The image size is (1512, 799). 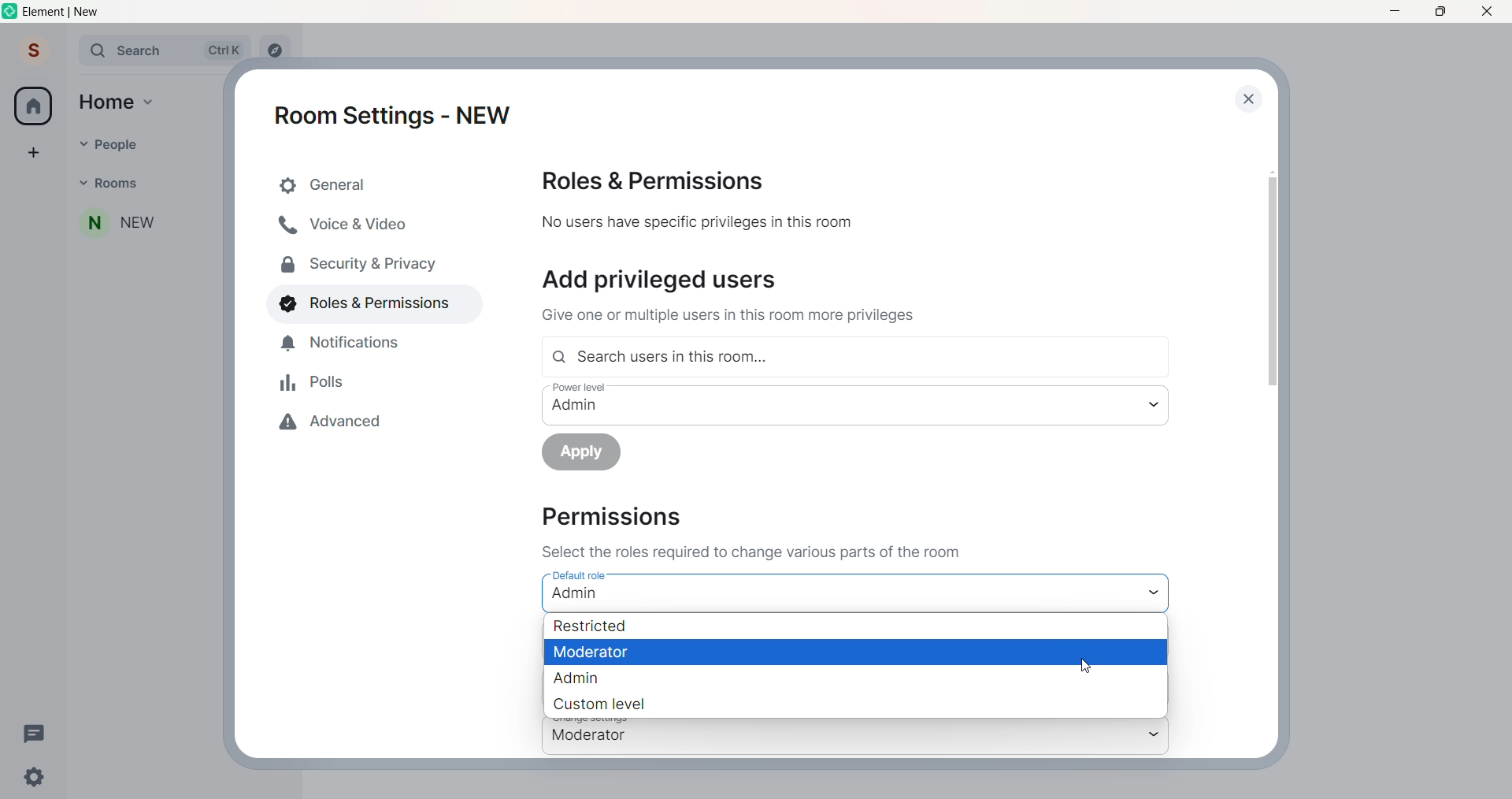 What do you see at coordinates (1157, 593) in the screenshot?
I see `default role dropdown` at bounding box center [1157, 593].